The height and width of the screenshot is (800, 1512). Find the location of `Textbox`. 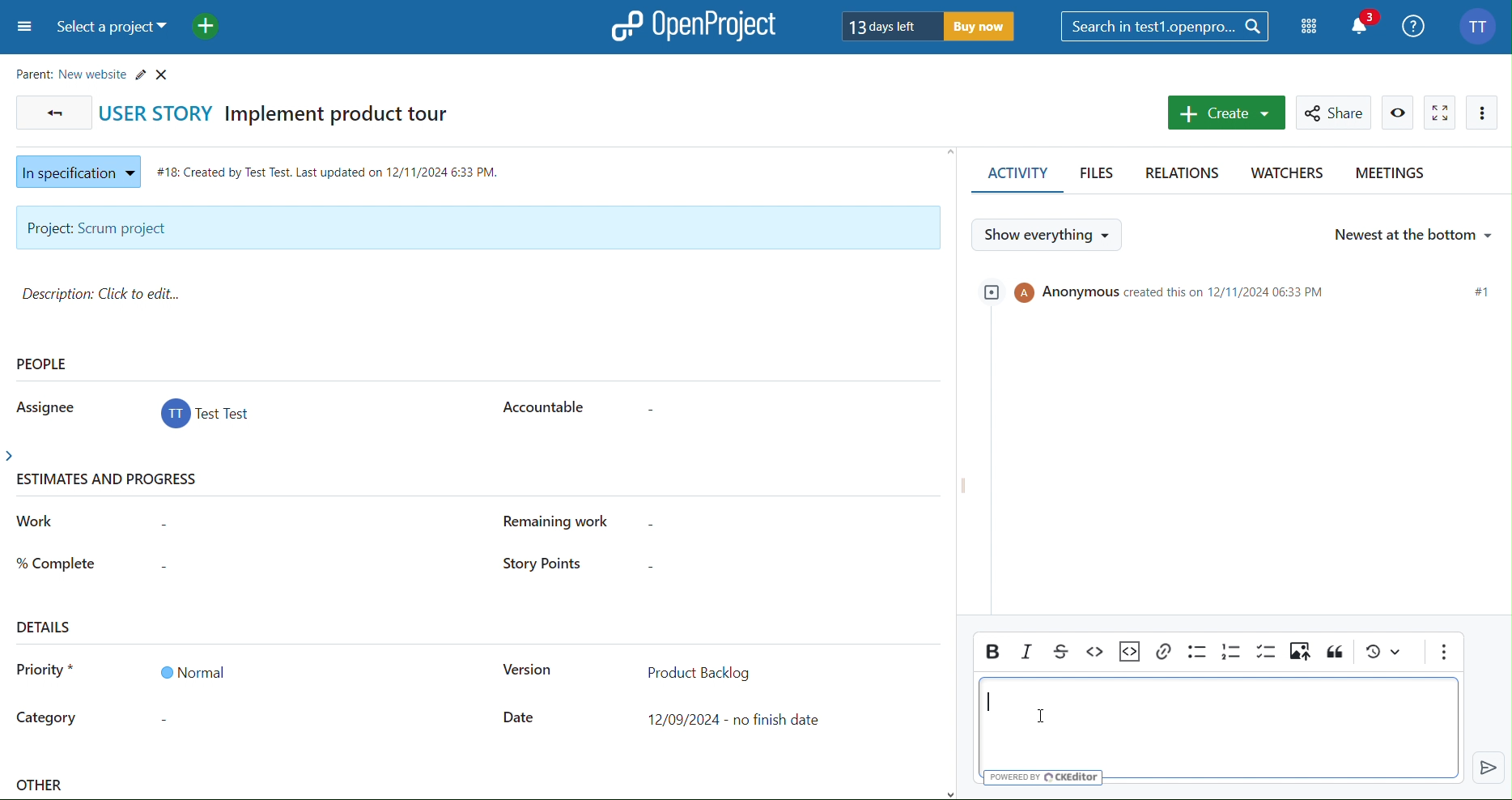

Textbox is located at coordinates (1219, 731).